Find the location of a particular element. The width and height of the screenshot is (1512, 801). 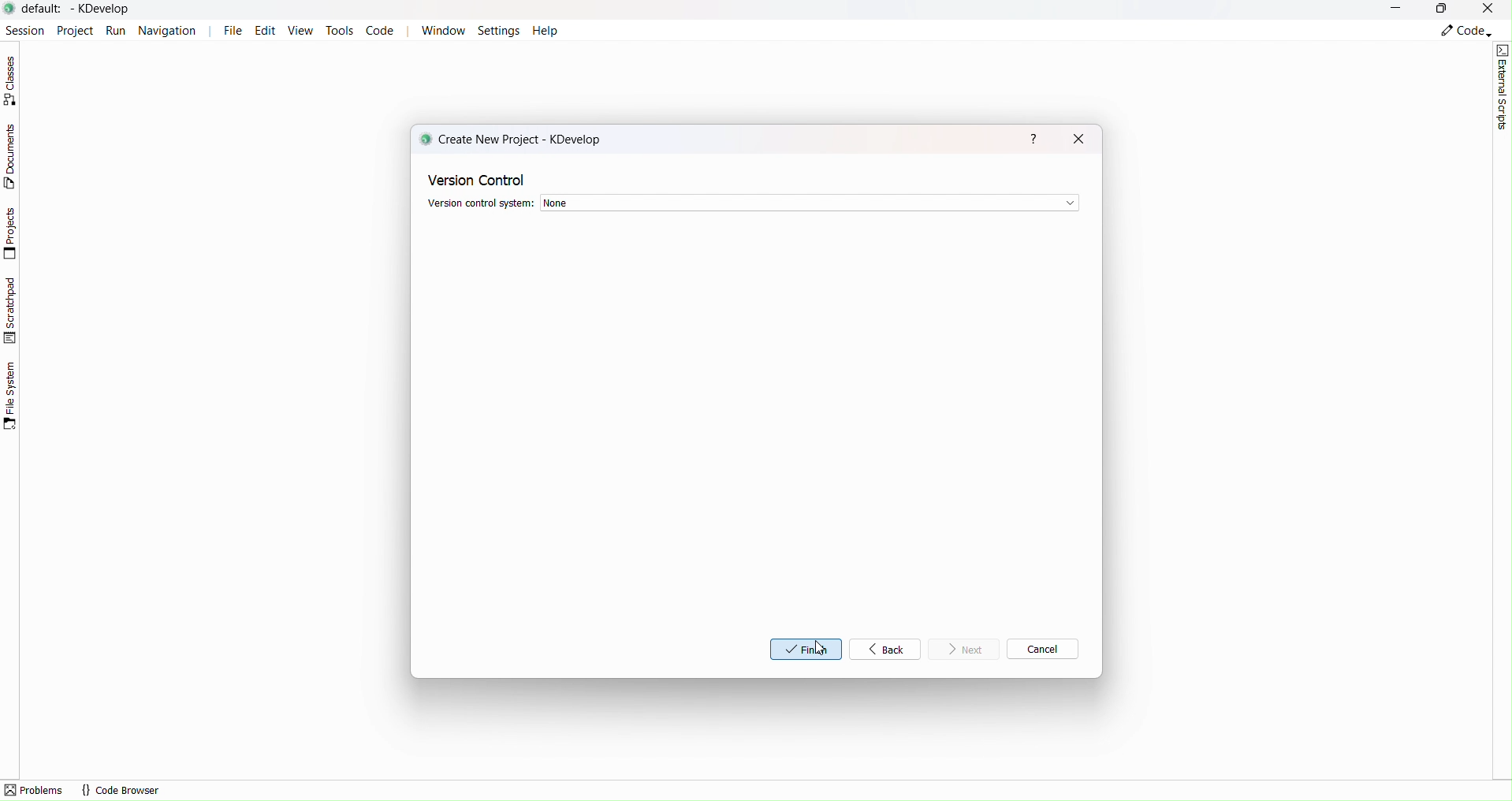

tools is located at coordinates (339, 30).